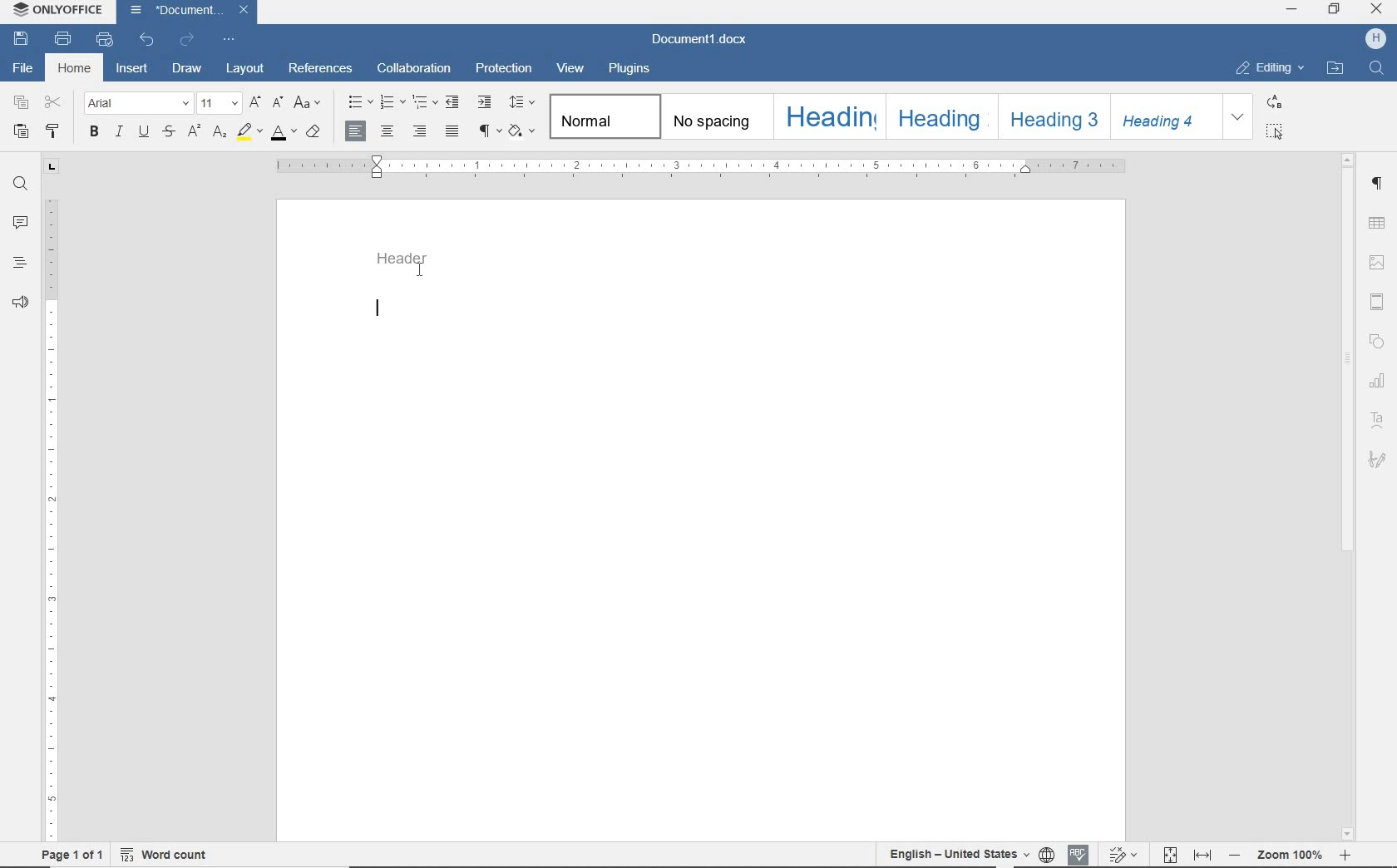 This screenshot has width=1397, height=868. What do you see at coordinates (1379, 302) in the screenshot?
I see `HEADER & FOOTER` at bounding box center [1379, 302].